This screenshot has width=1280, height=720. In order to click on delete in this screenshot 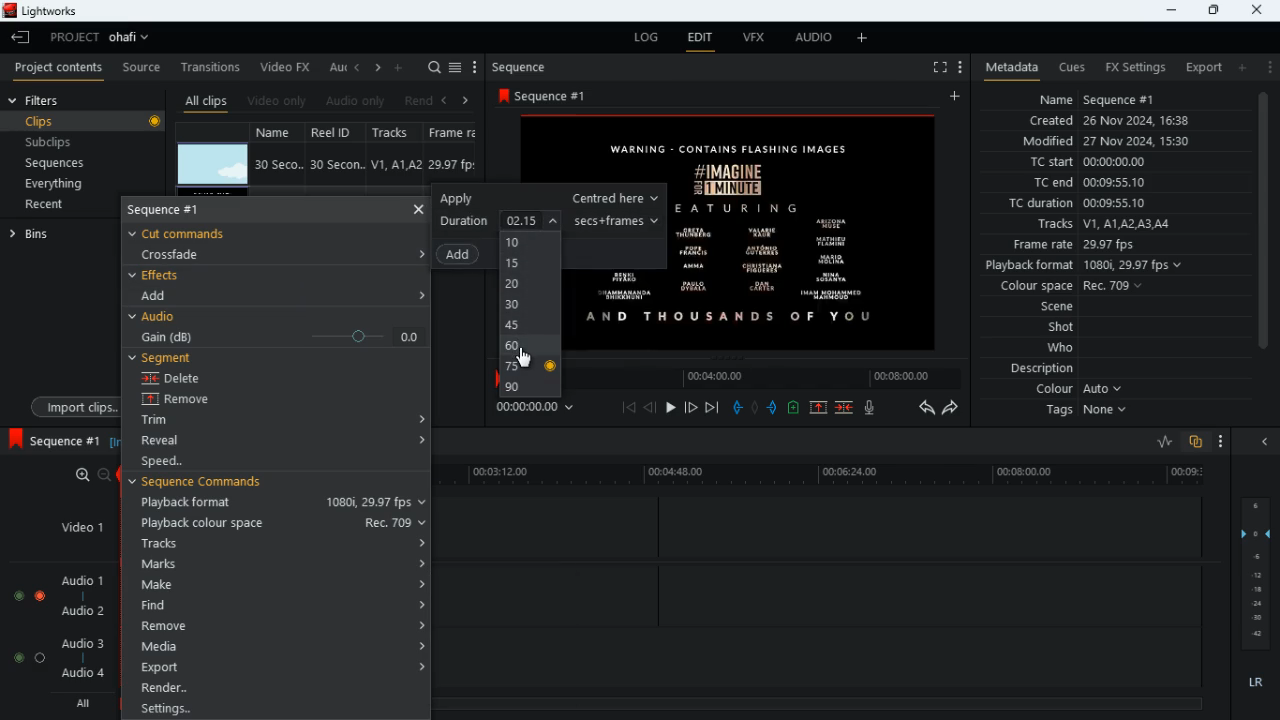, I will do `click(188, 378)`.